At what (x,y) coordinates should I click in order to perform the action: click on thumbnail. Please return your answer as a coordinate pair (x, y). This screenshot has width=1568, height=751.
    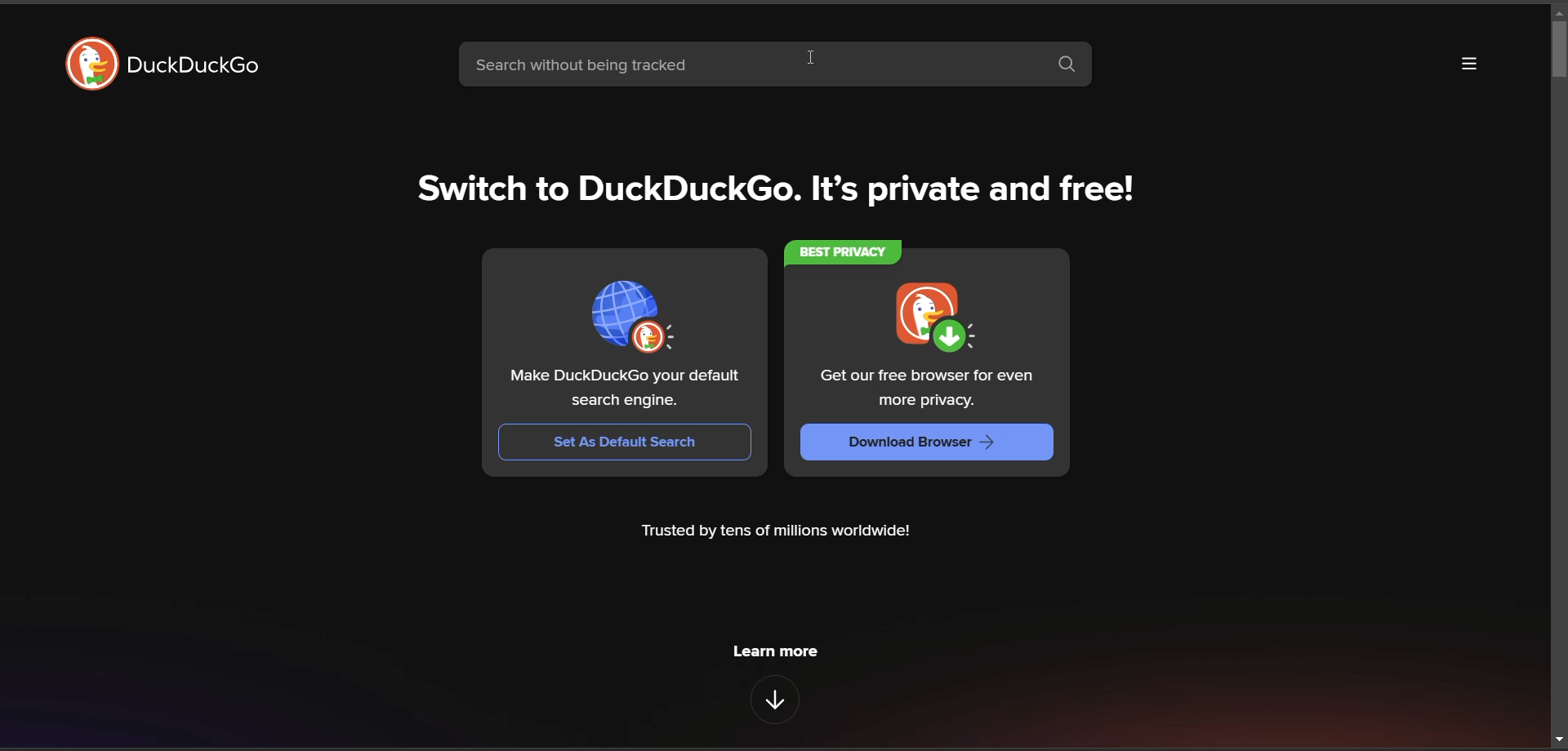
    Looking at the image, I should click on (940, 320).